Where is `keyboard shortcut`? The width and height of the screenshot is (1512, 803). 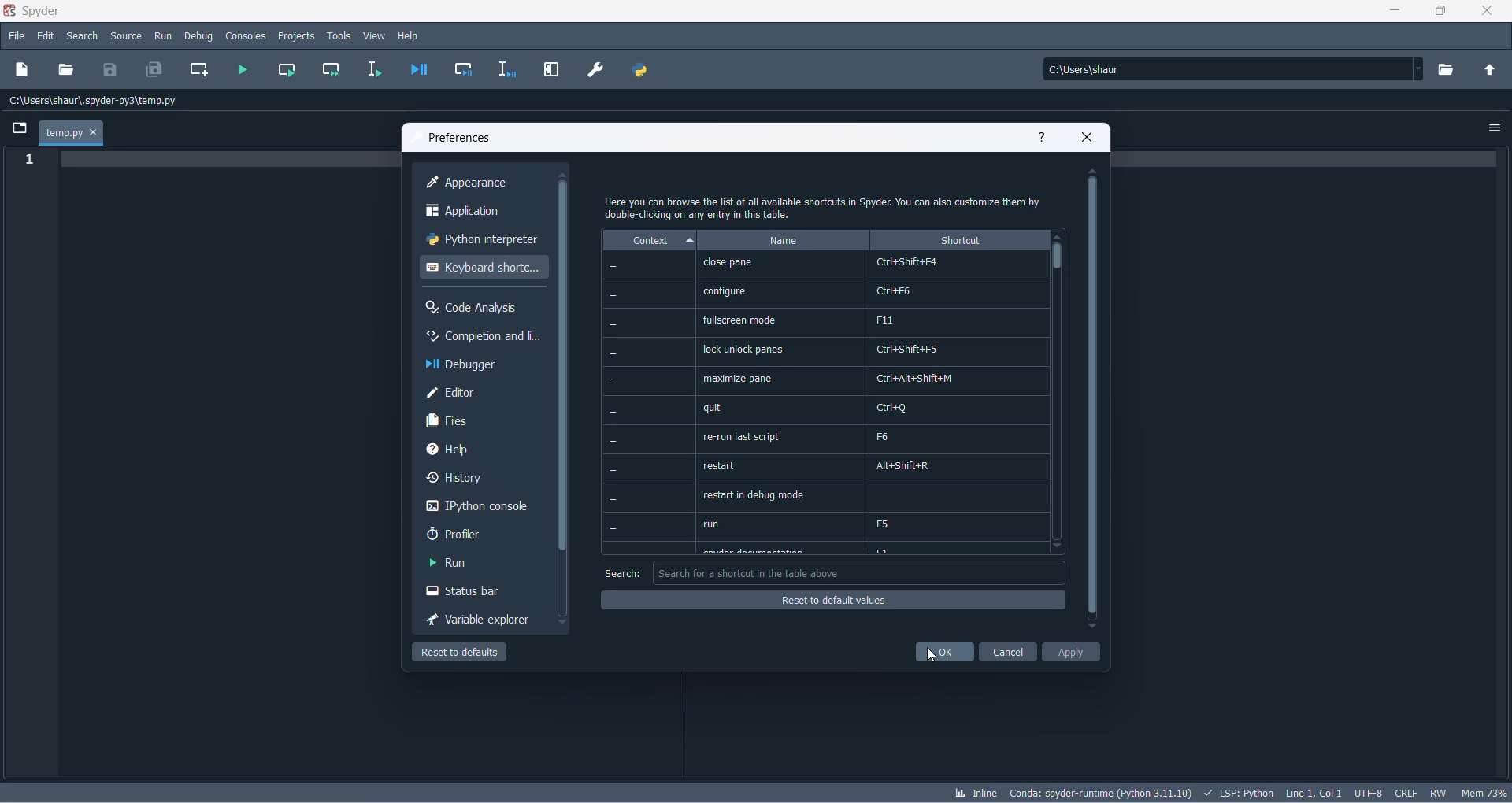 keyboard shortcut is located at coordinates (487, 268).